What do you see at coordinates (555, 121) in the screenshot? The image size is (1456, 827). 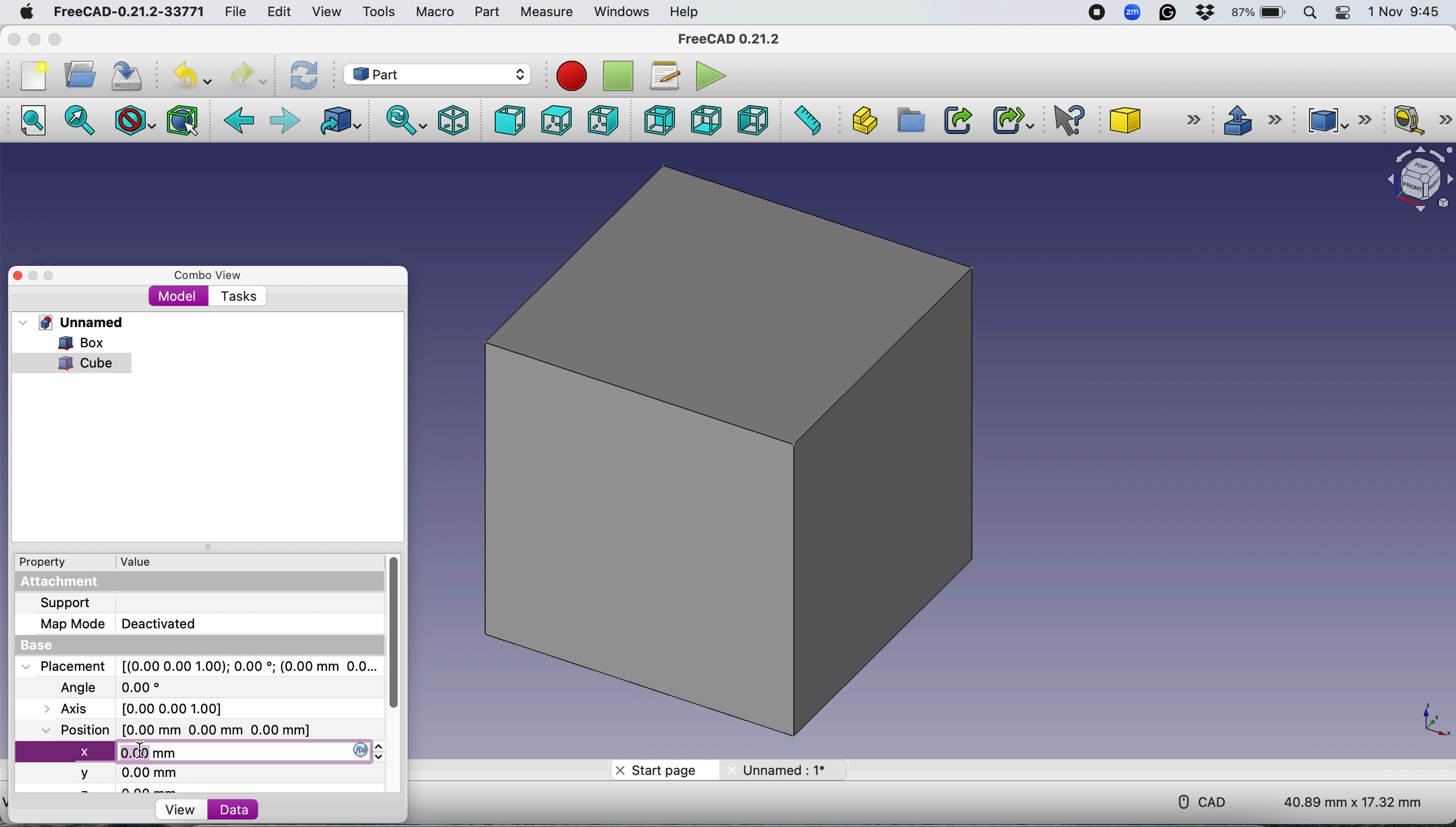 I see `Top` at bounding box center [555, 121].